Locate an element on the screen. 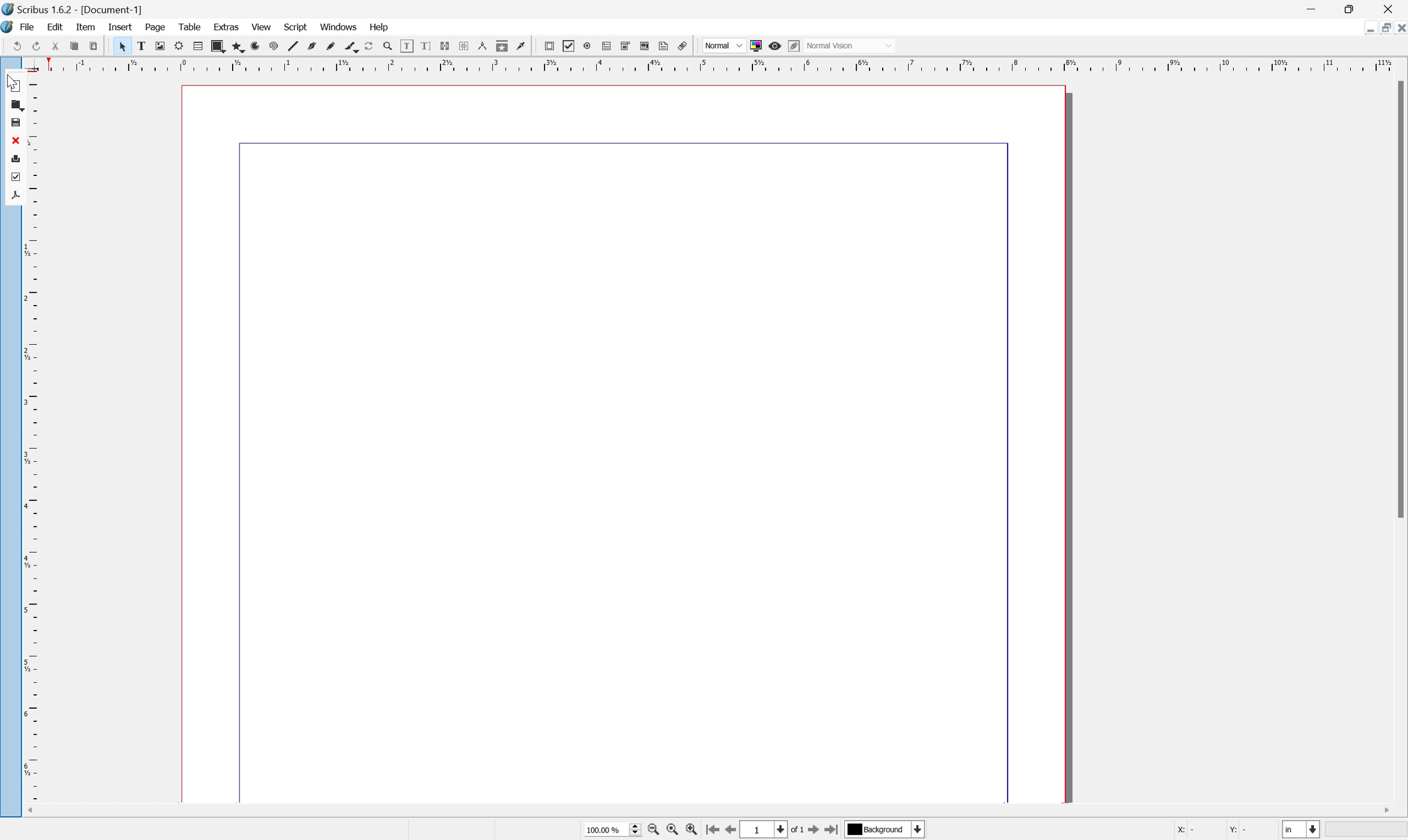 The width and height of the screenshot is (1408, 840). zoom in is located at coordinates (691, 830).